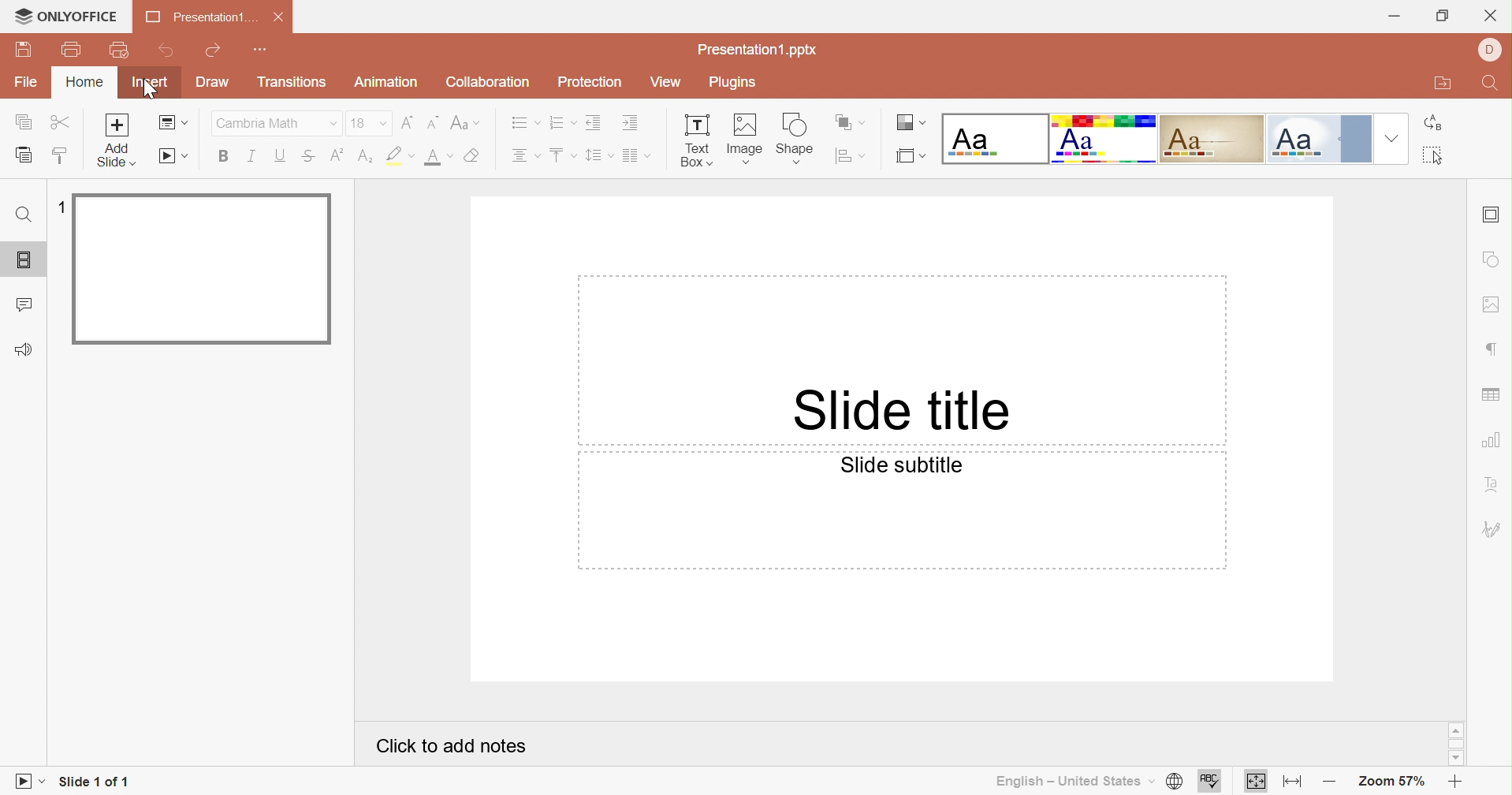  Describe the element at coordinates (390, 85) in the screenshot. I see `Animation` at that location.